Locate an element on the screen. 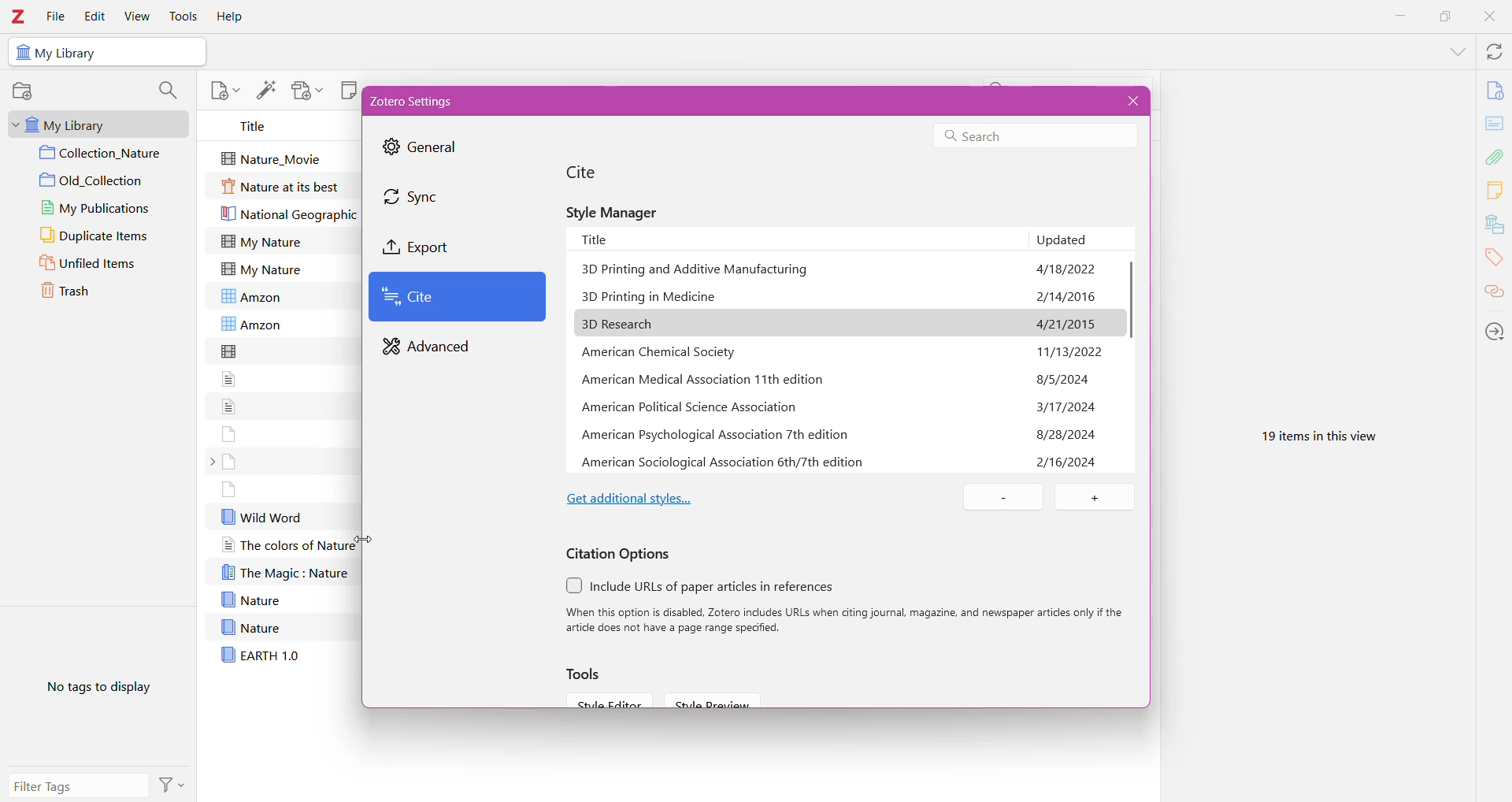 Image resolution: width=1512 pixels, height=802 pixels. American Political Science Association is located at coordinates (688, 408).